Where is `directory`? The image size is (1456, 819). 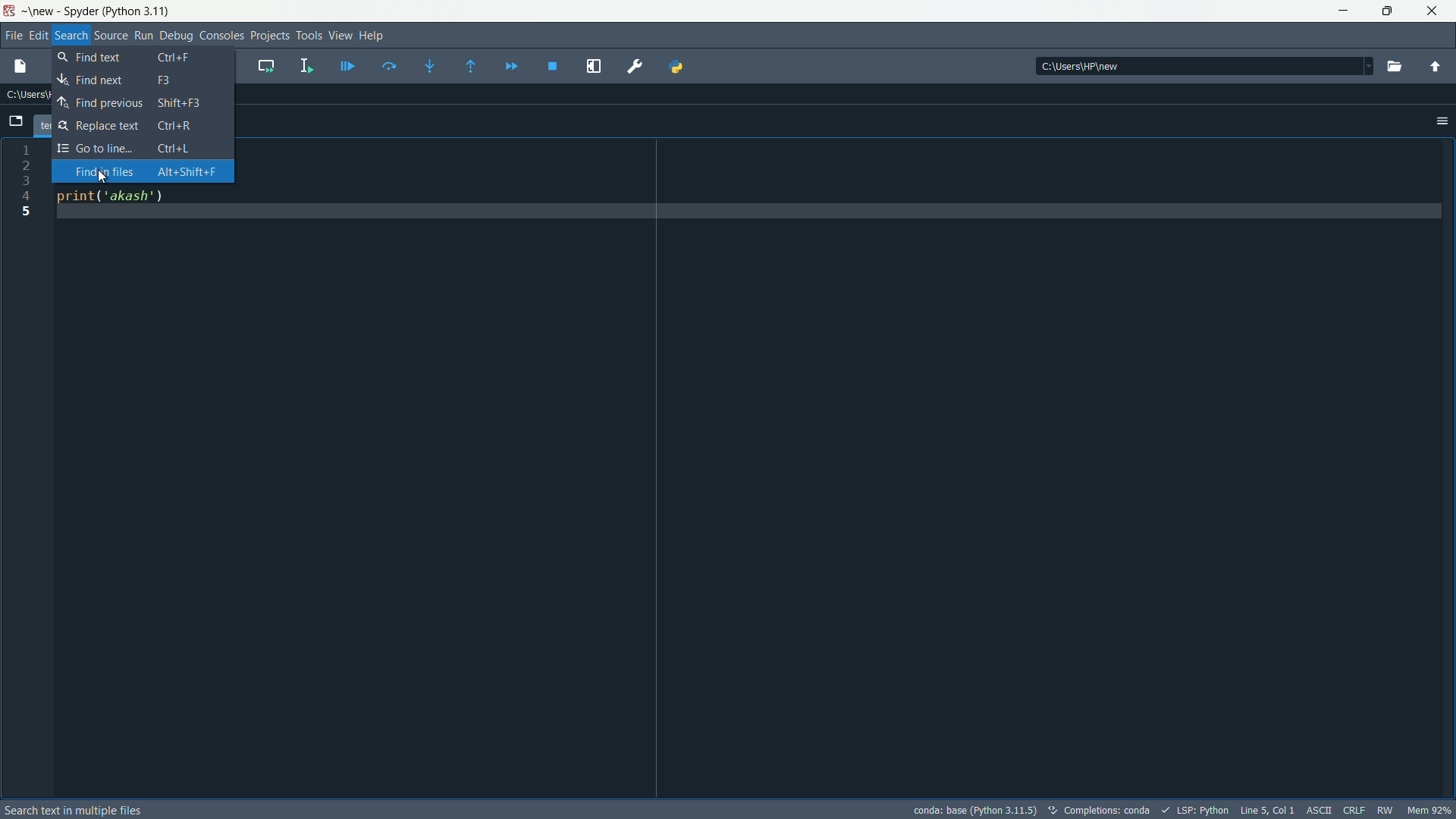
directory is located at coordinates (1203, 67).